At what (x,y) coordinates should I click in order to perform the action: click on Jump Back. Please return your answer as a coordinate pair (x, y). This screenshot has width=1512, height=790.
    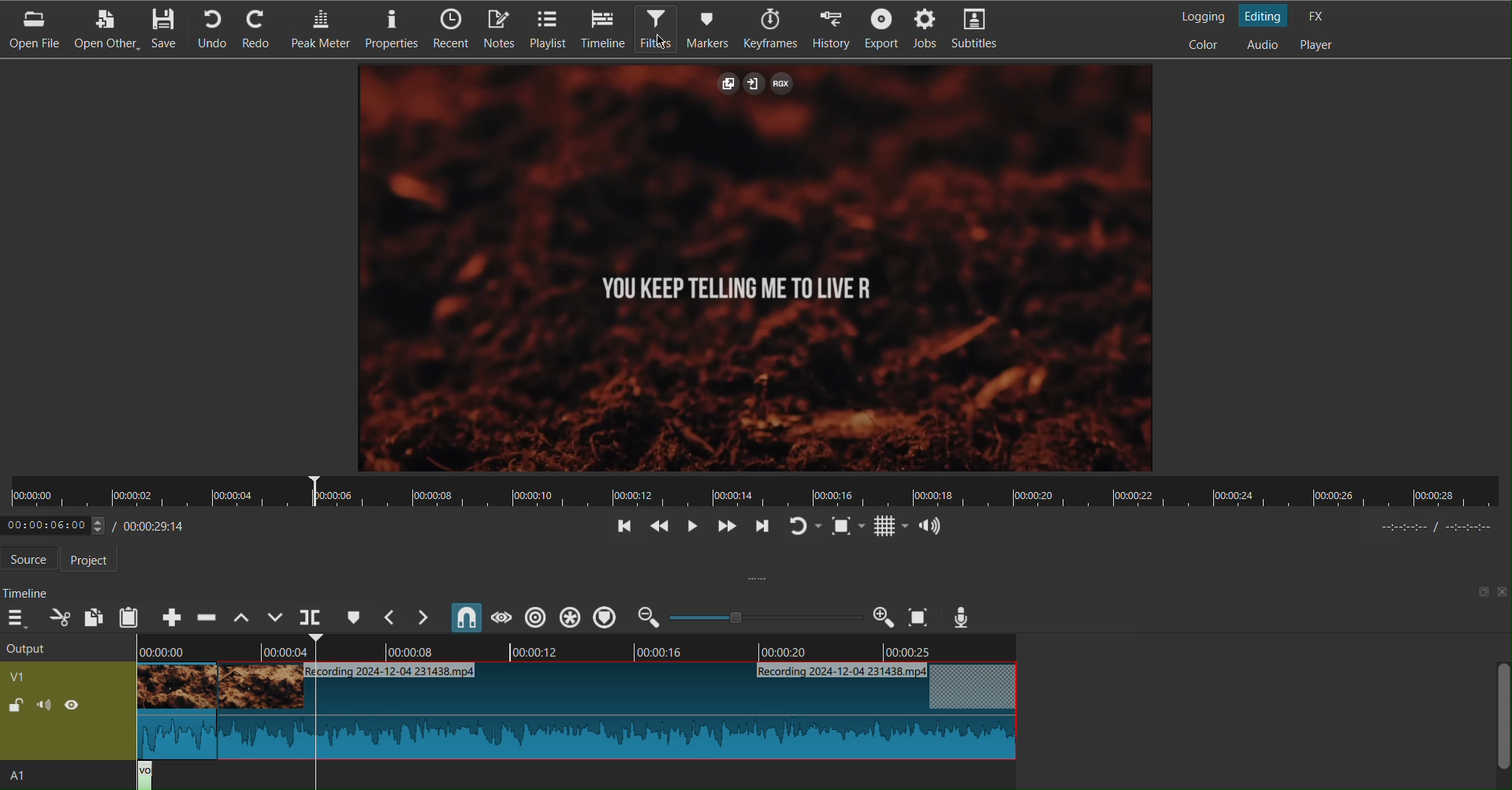
    Looking at the image, I should click on (624, 527).